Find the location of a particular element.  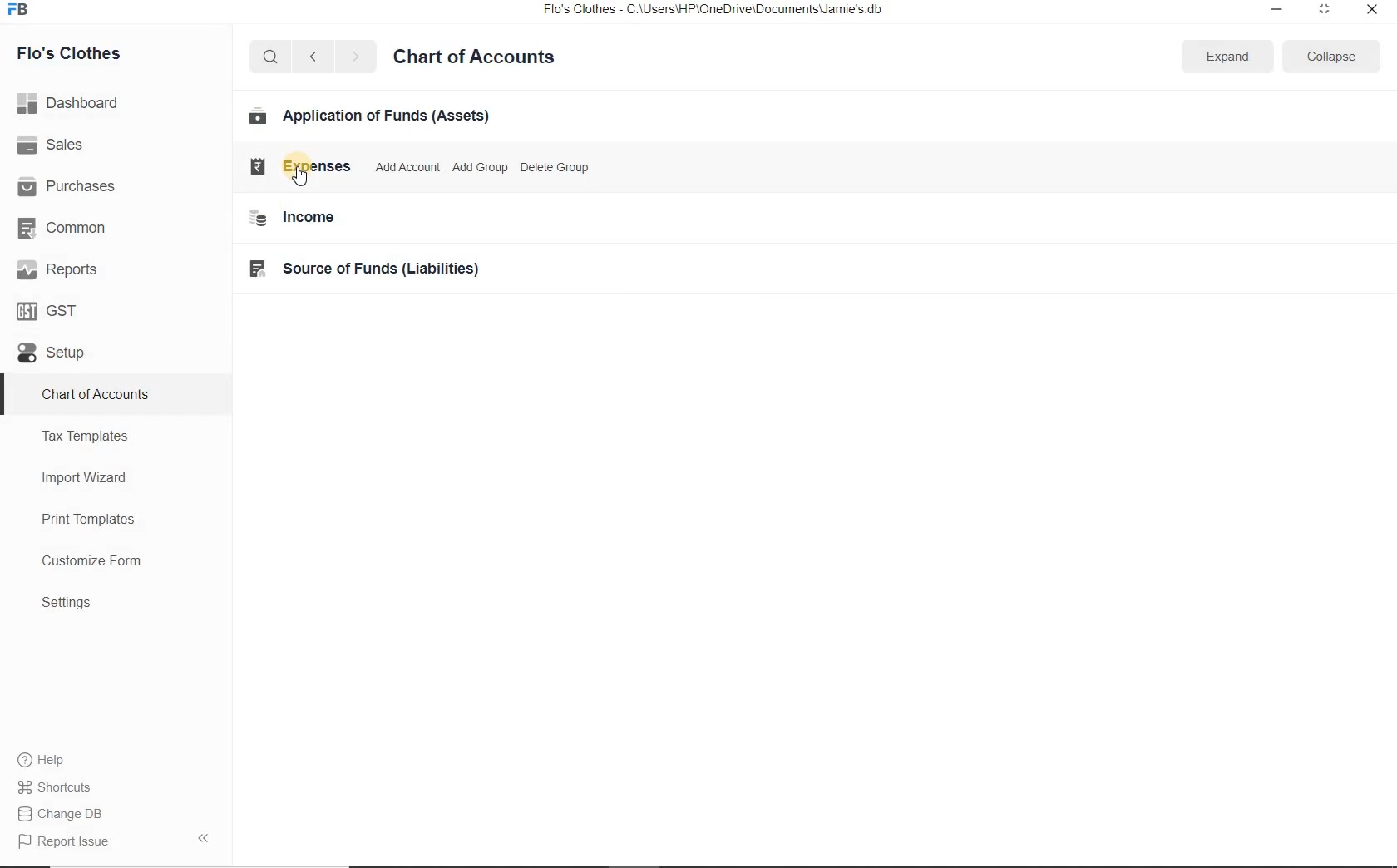

Expenses is located at coordinates (295, 166).